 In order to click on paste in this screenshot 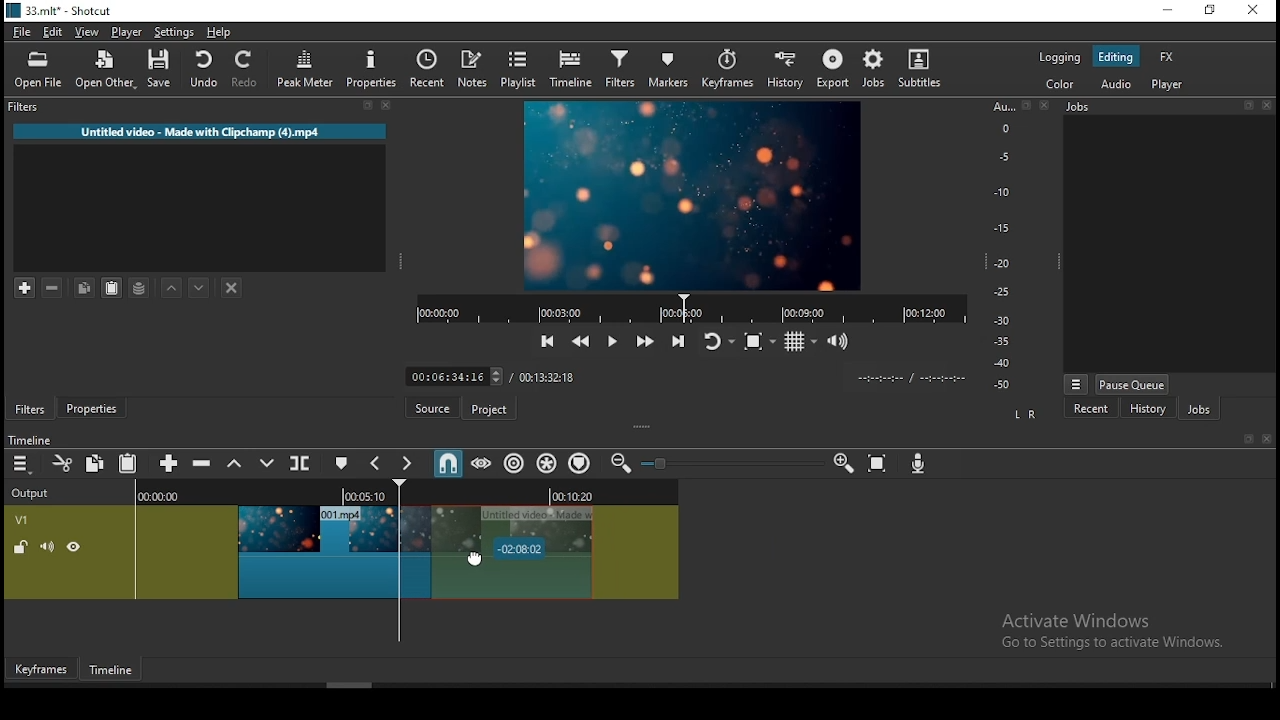, I will do `click(131, 465)`.